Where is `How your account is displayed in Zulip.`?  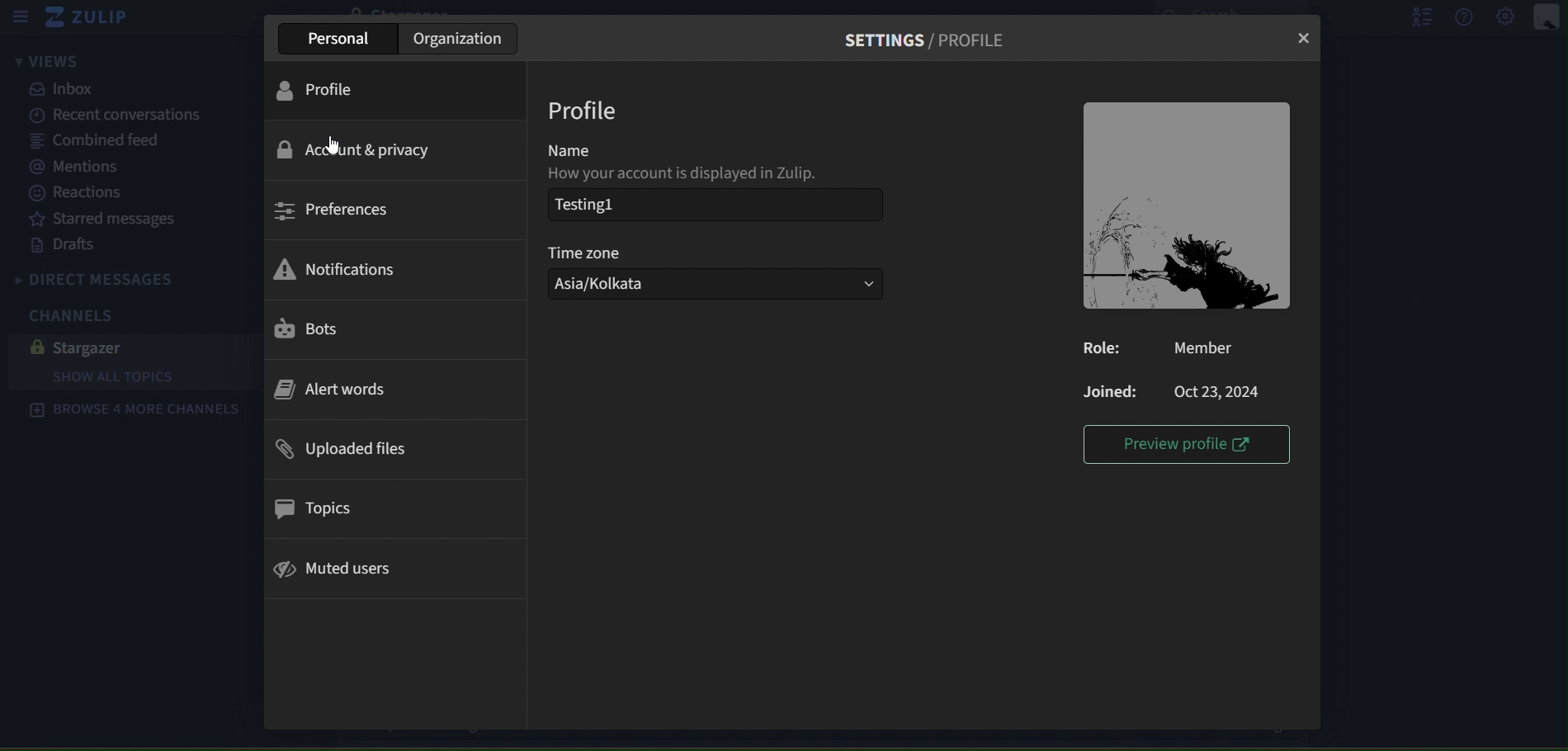 How your account is displayed in Zulip. is located at coordinates (694, 174).